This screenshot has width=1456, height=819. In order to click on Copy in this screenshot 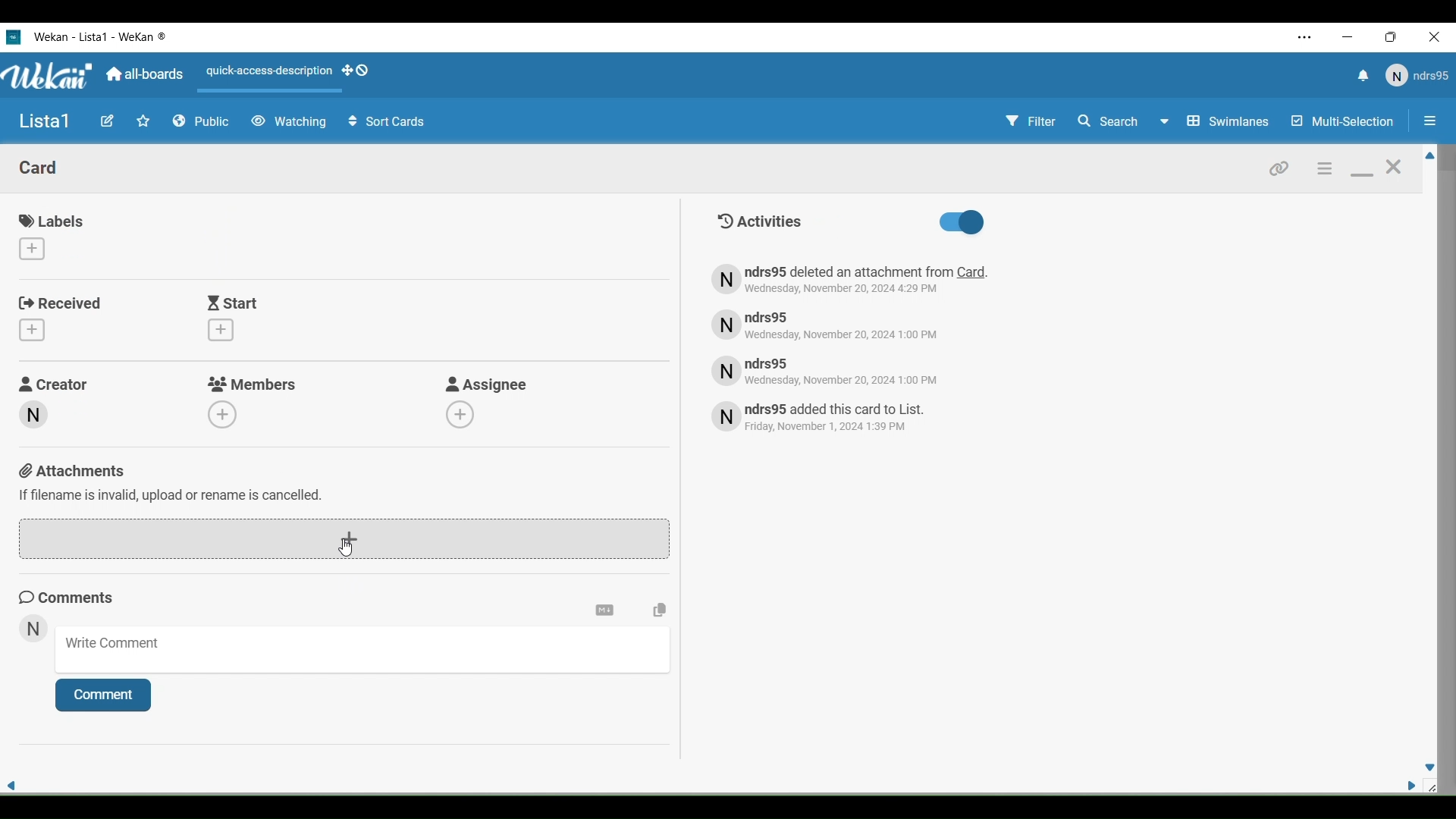, I will do `click(661, 610)`.